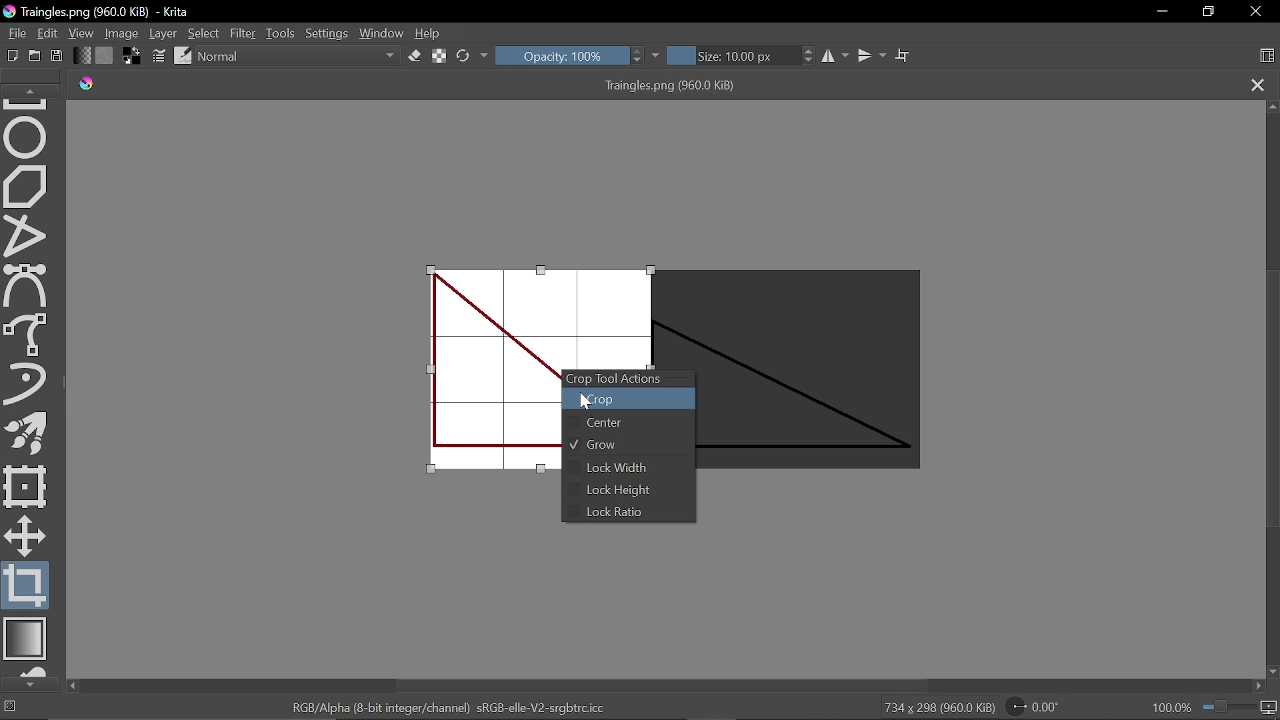 The image size is (1280, 720). I want to click on Edit, so click(49, 34).